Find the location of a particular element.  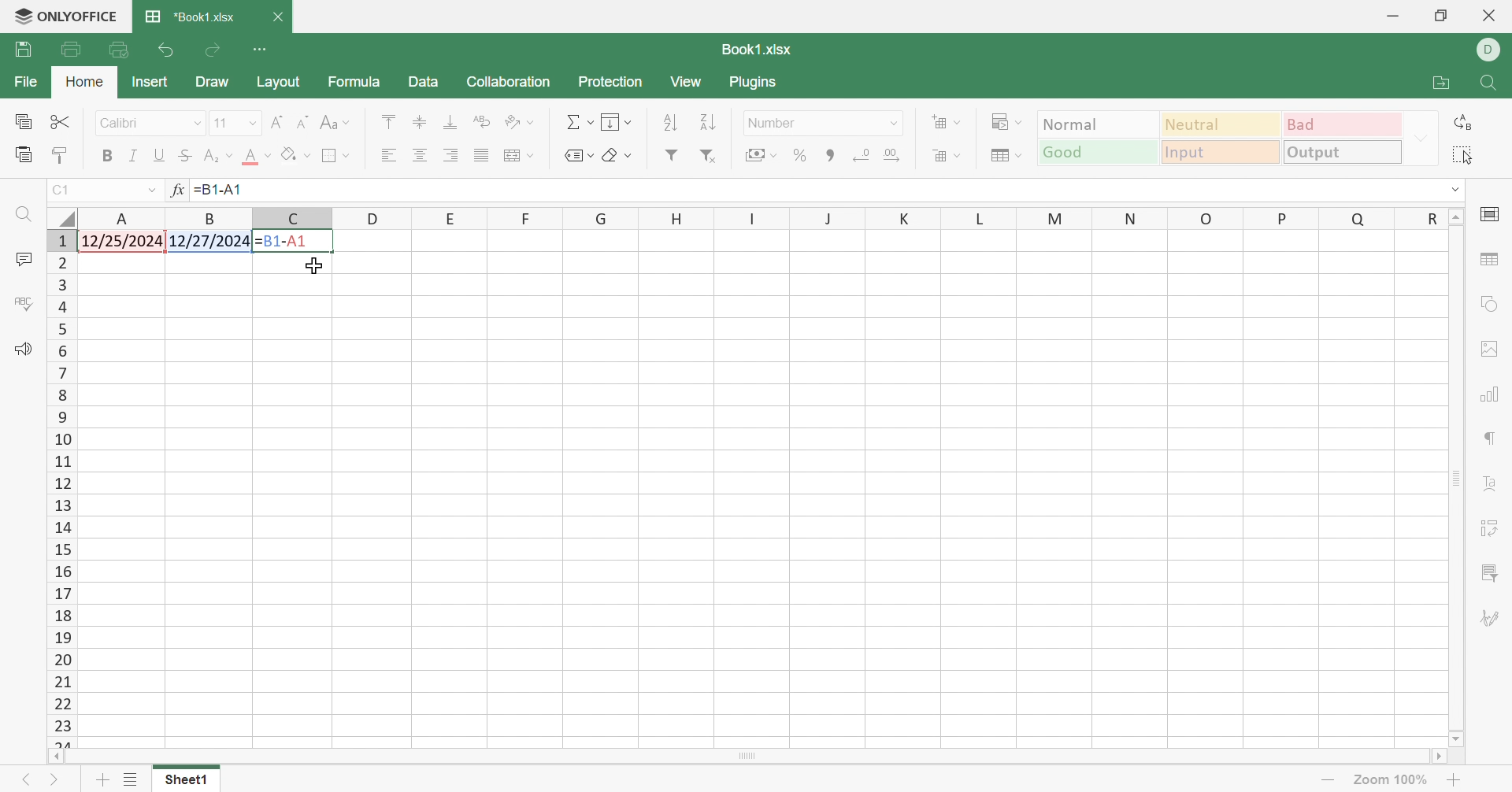

Copy Style is located at coordinates (63, 155).